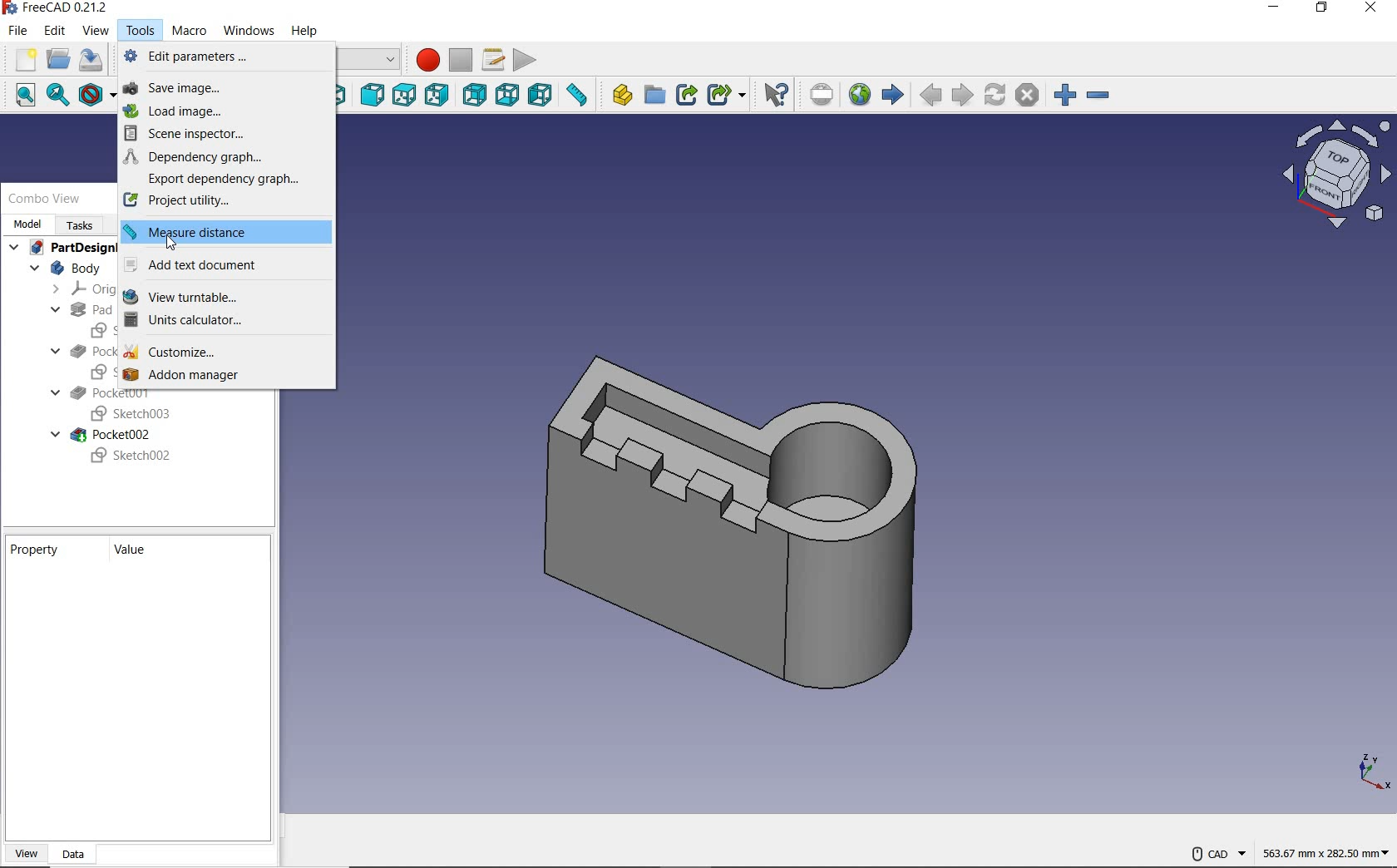 The height and width of the screenshot is (868, 1397). I want to click on open, so click(58, 60).